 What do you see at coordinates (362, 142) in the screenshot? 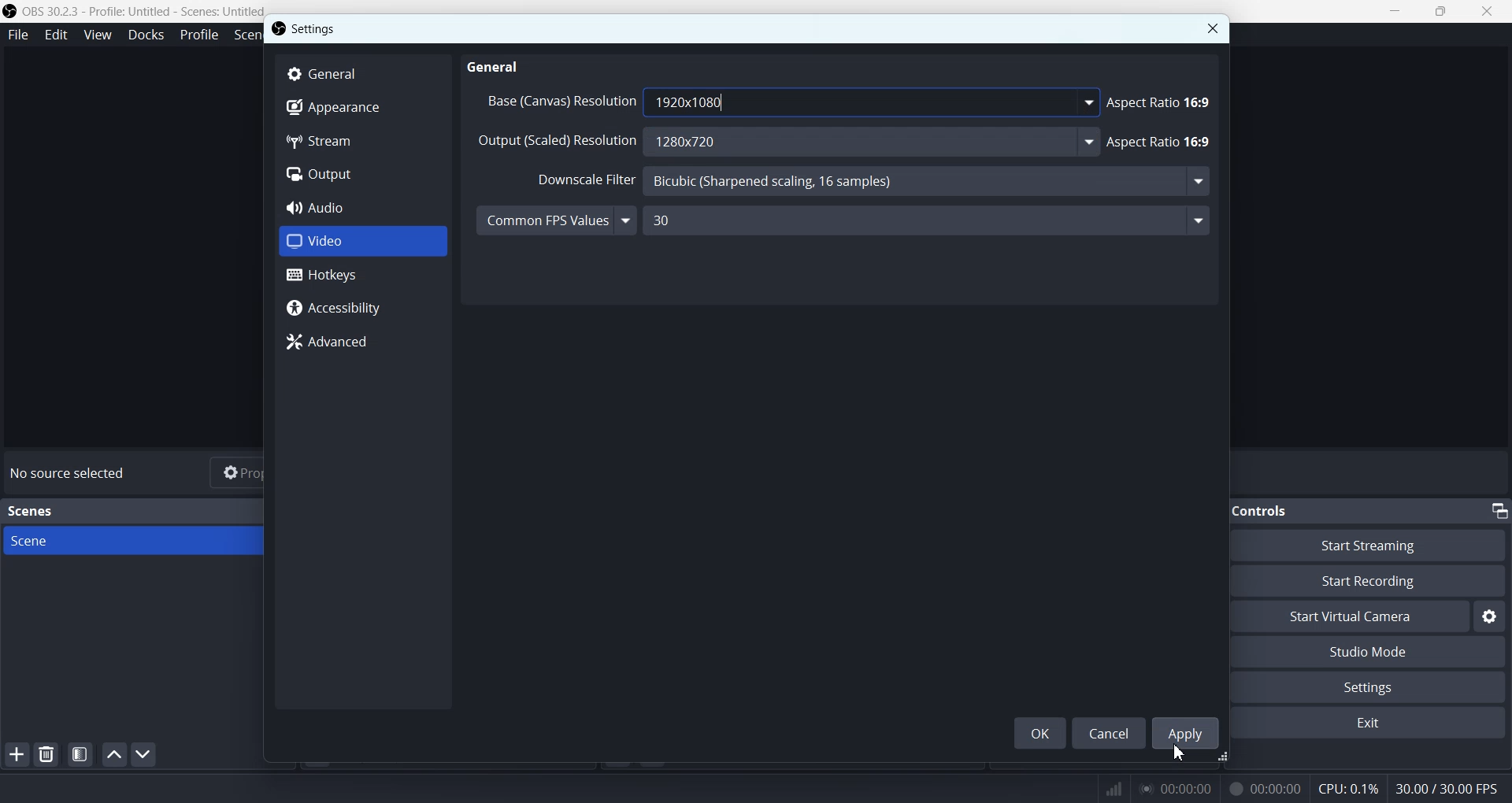
I see `Stream` at bounding box center [362, 142].